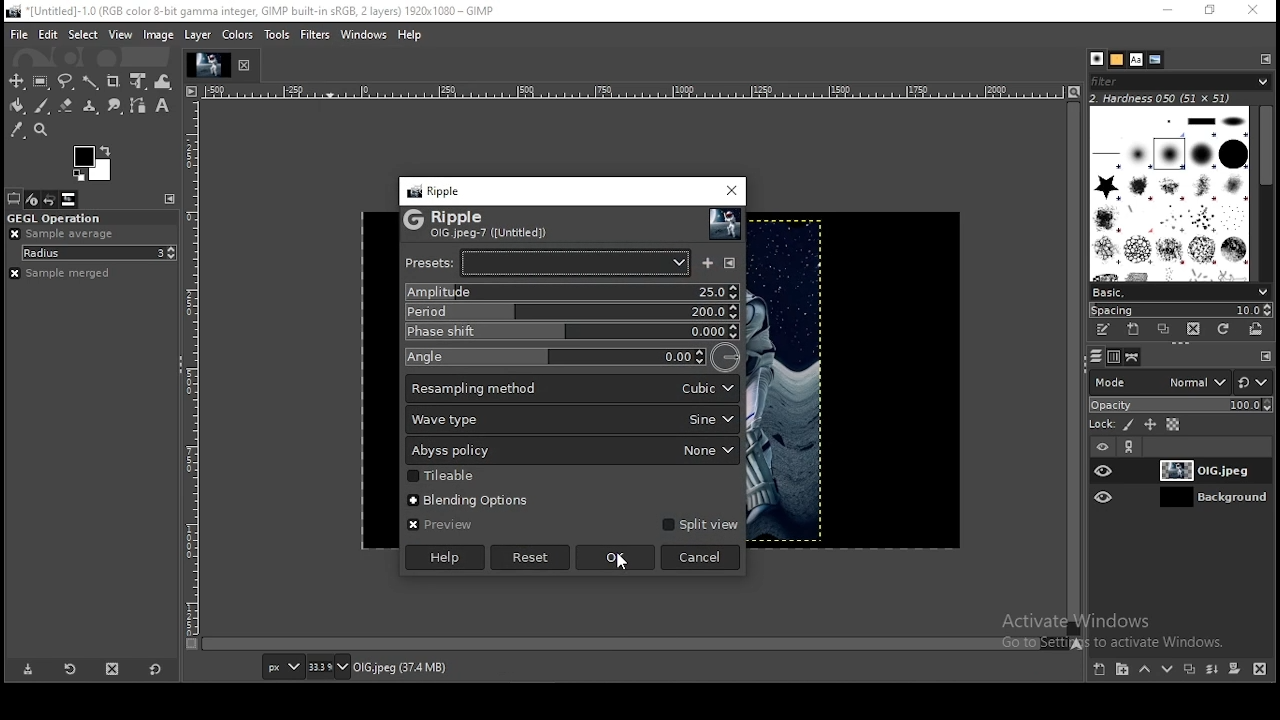 Image resolution: width=1280 pixels, height=720 pixels. Describe the element at coordinates (33, 200) in the screenshot. I see `device status` at that location.